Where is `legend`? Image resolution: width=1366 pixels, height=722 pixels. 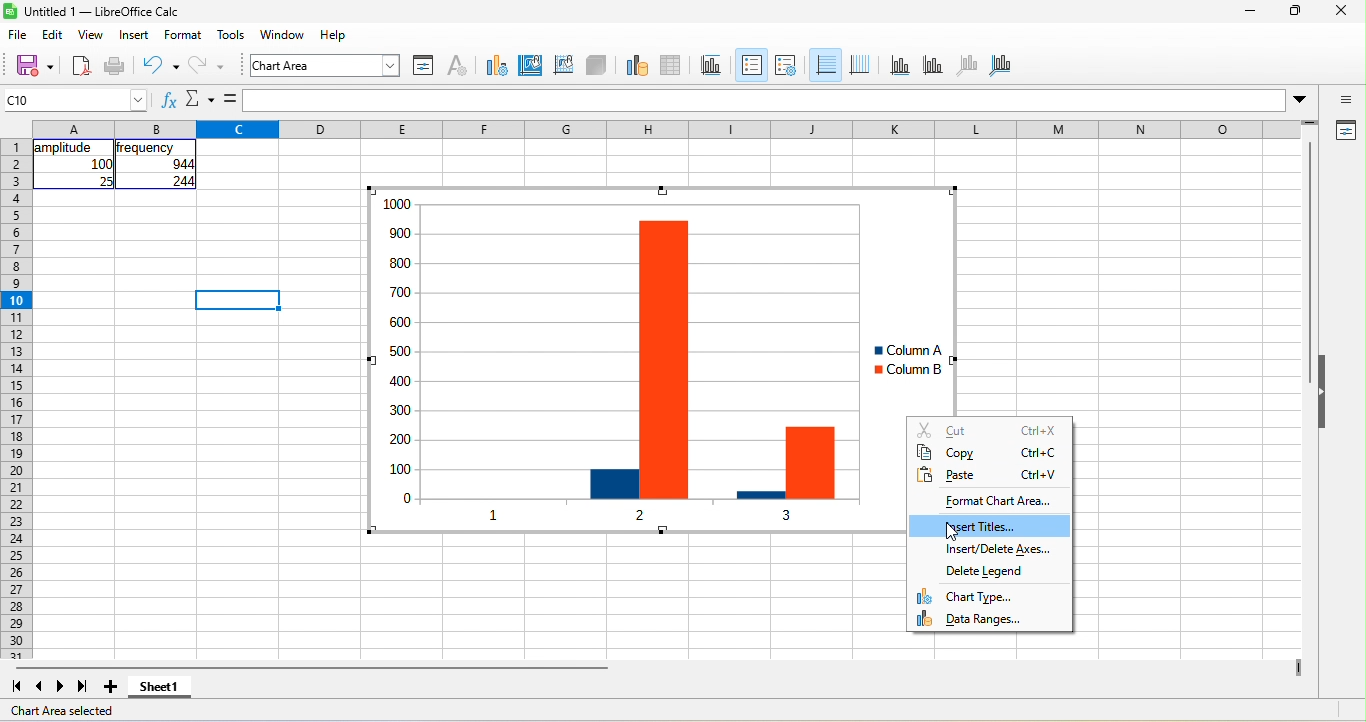
legend is located at coordinates (786, 66).